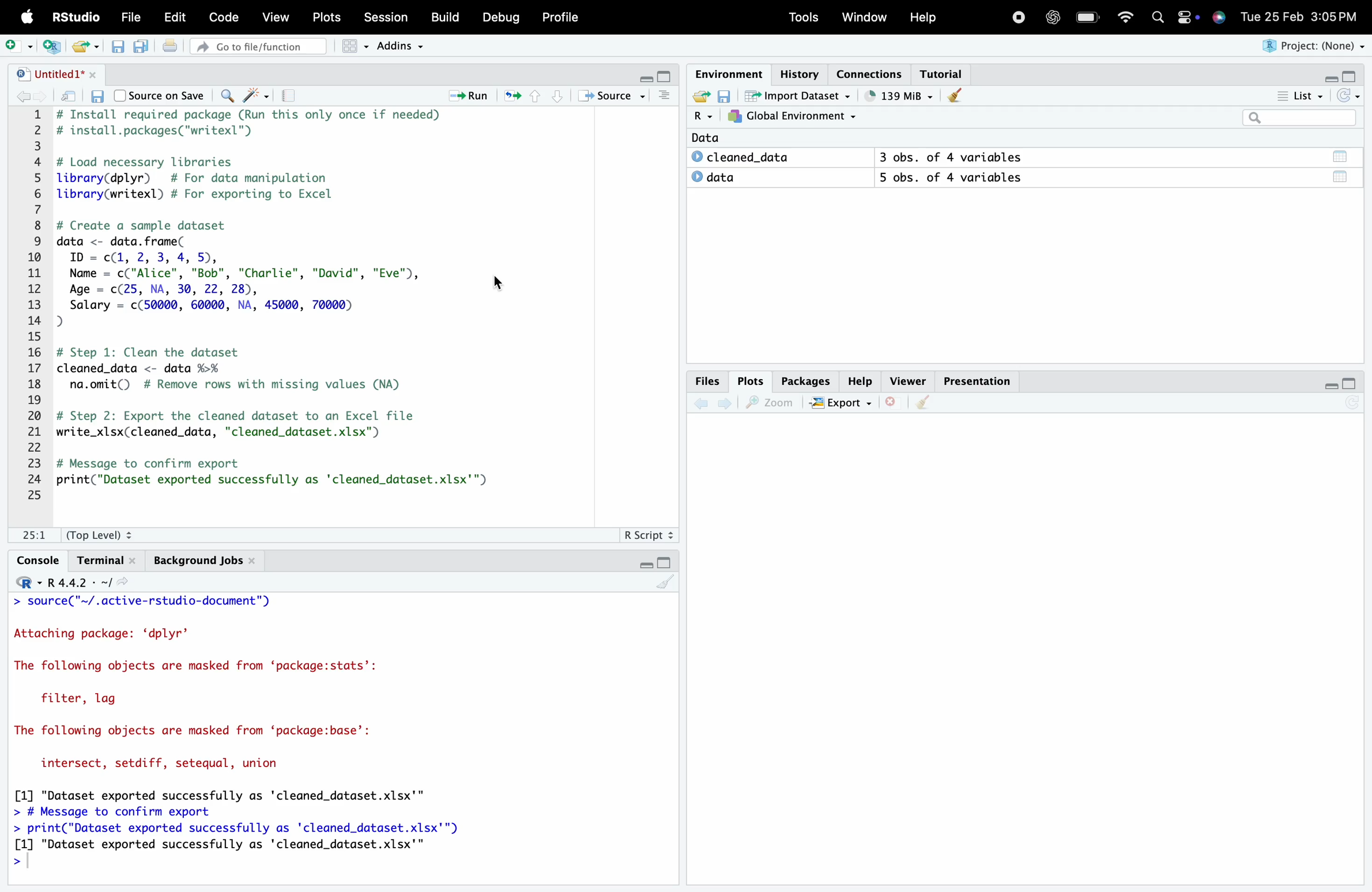 The width and height of the screenshot is (1372, 892). I want to click on Open an existing file (Ctrl + O), so click(84, 47).